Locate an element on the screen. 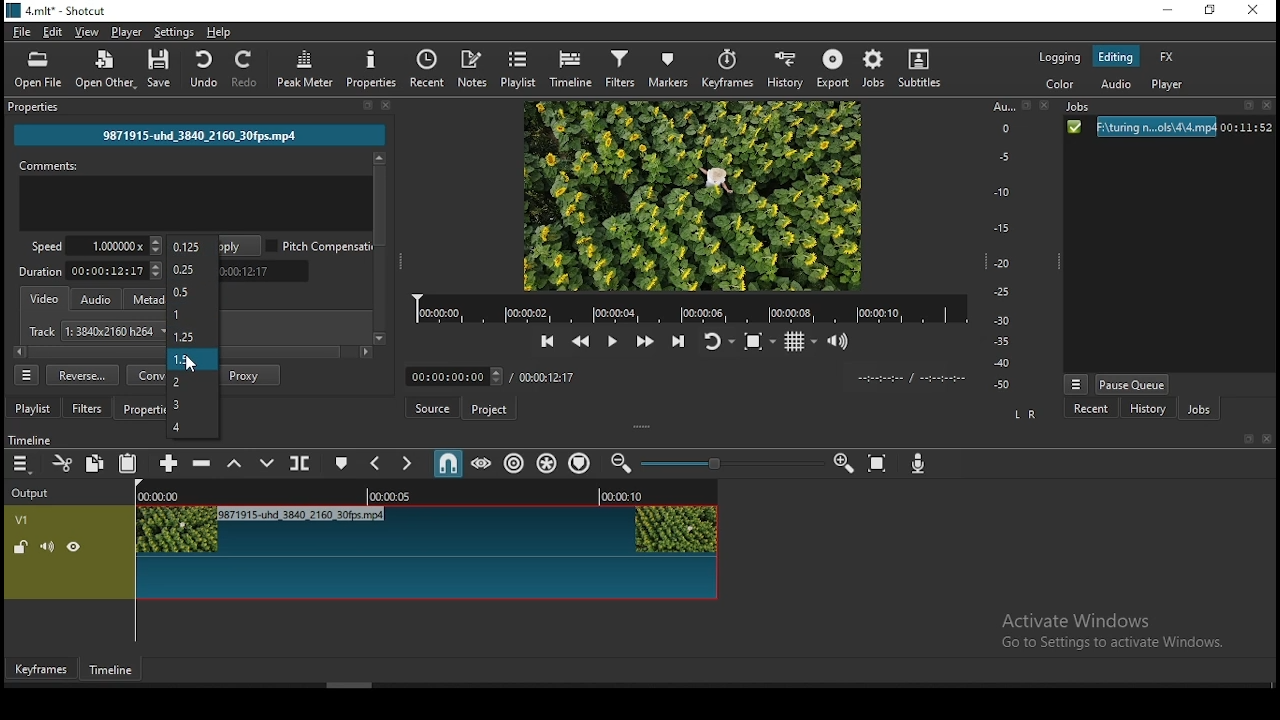 Image resolution: width=1280 pixels, height=720 pixels. close is located at coordinates (387, 105).